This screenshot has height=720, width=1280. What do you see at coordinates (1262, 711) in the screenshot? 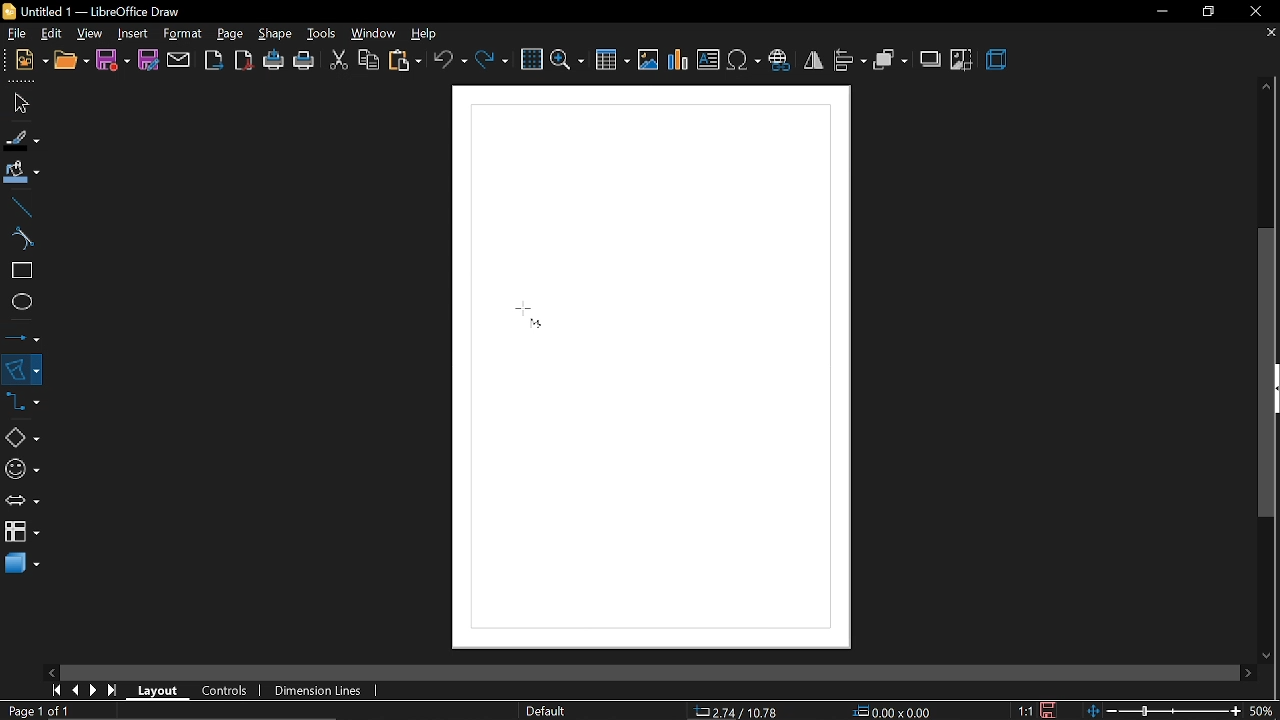
I see `current zoom` at bounding box center [1262, 711].